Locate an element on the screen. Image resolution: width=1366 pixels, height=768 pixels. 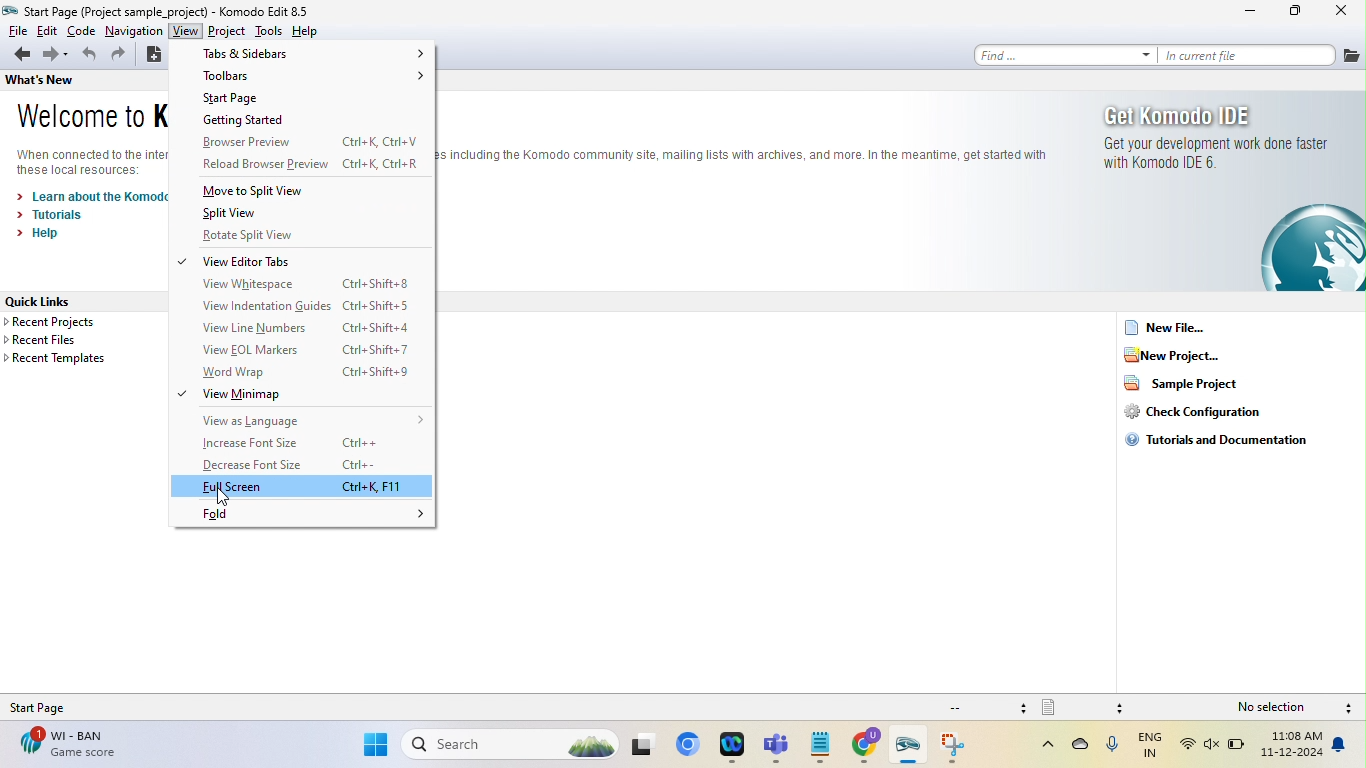
file encoding is located at coordinates (985, 707).